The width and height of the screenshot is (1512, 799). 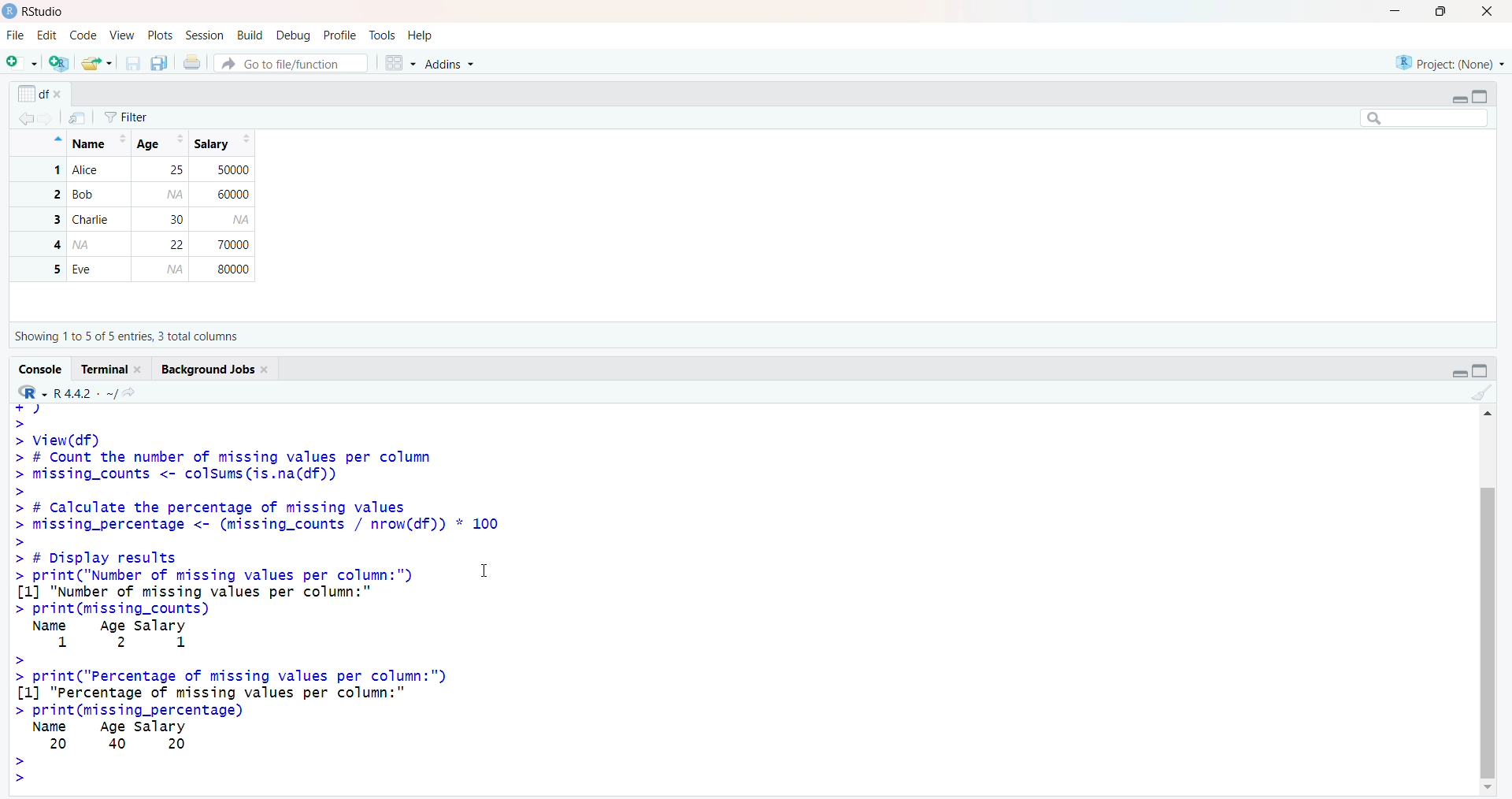 I want to click on Session, so click(x=205, y=36).